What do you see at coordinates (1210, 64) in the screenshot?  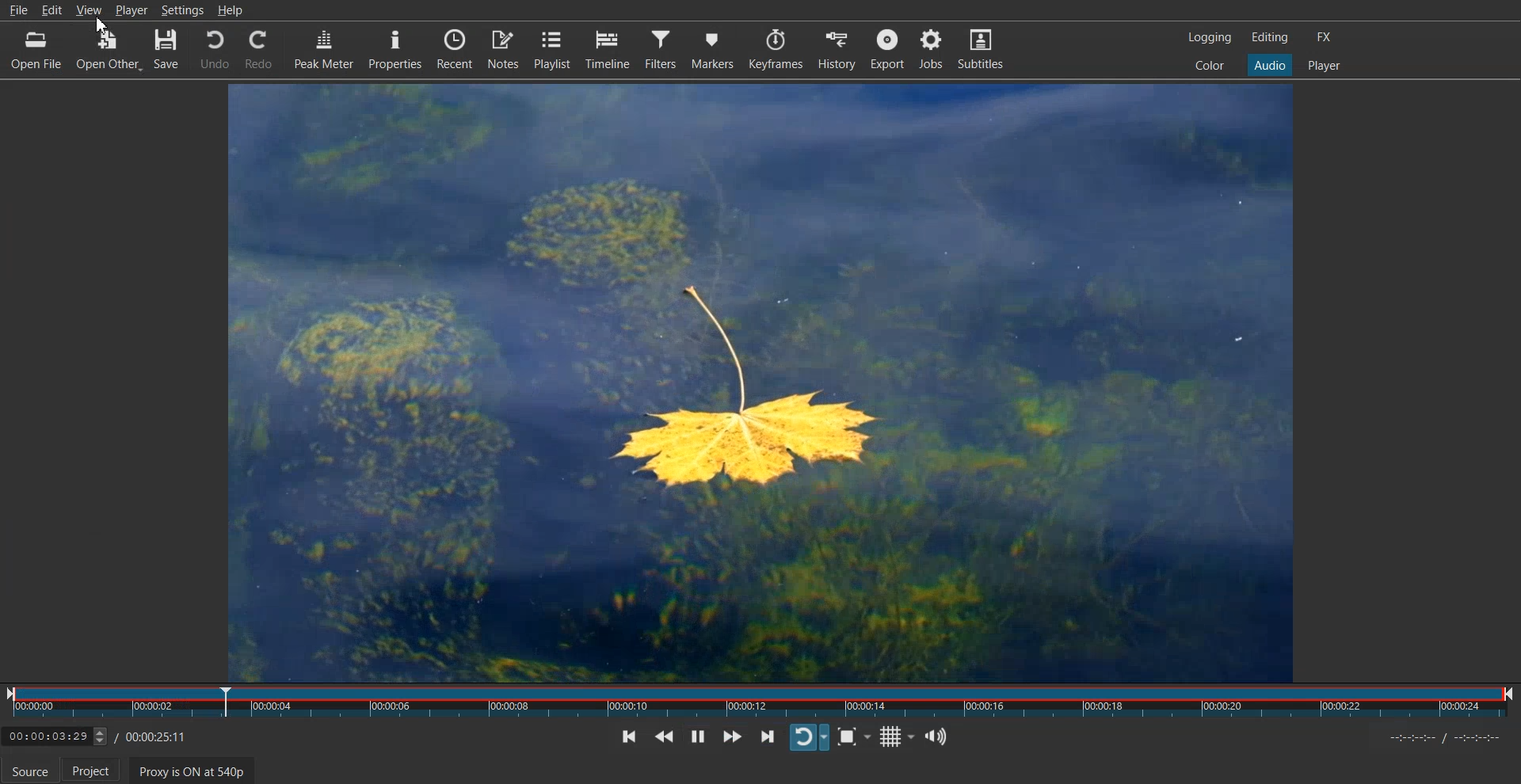 I see `Color` at bounding box center [1210, 64].